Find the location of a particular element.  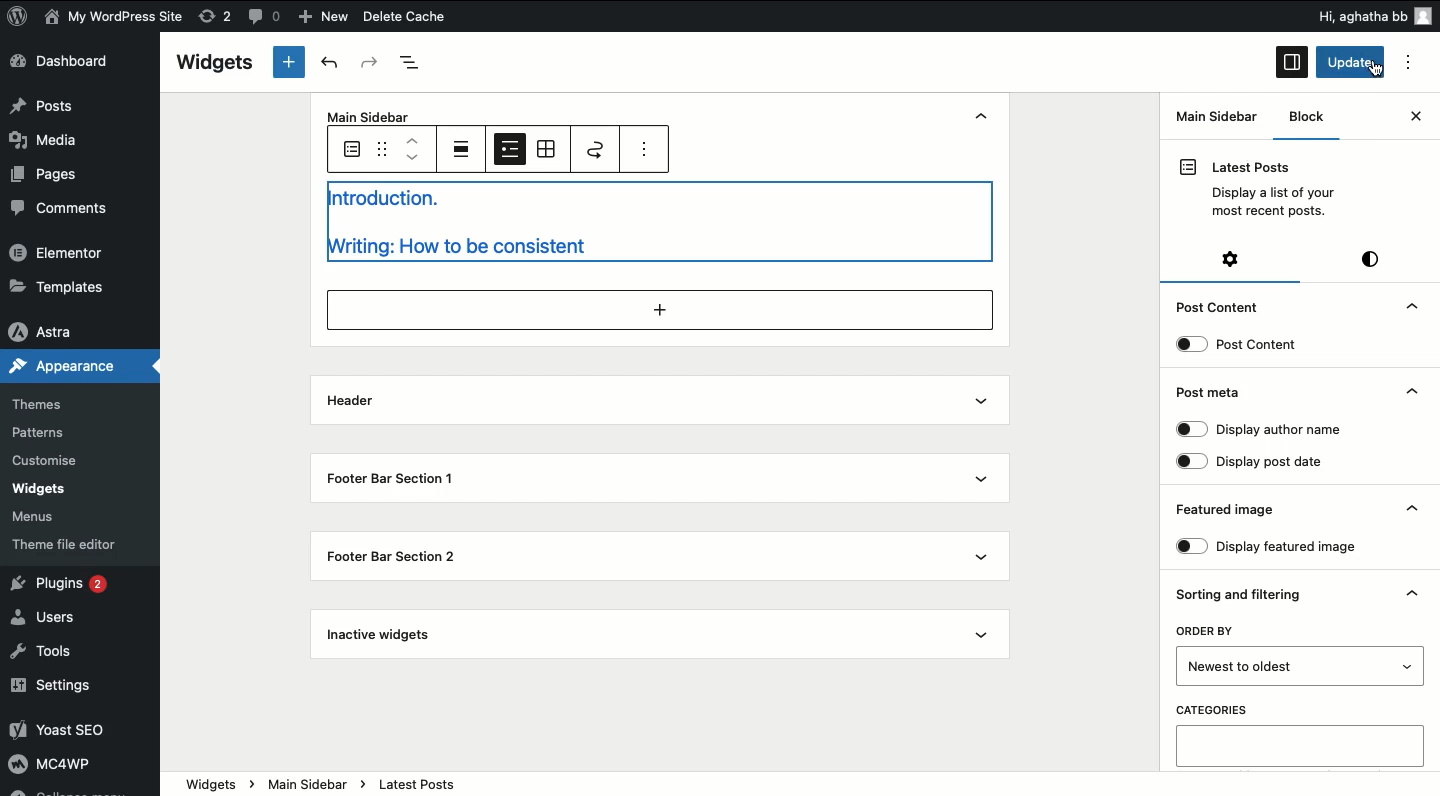

Comments. is located at coordinates (61, 208).